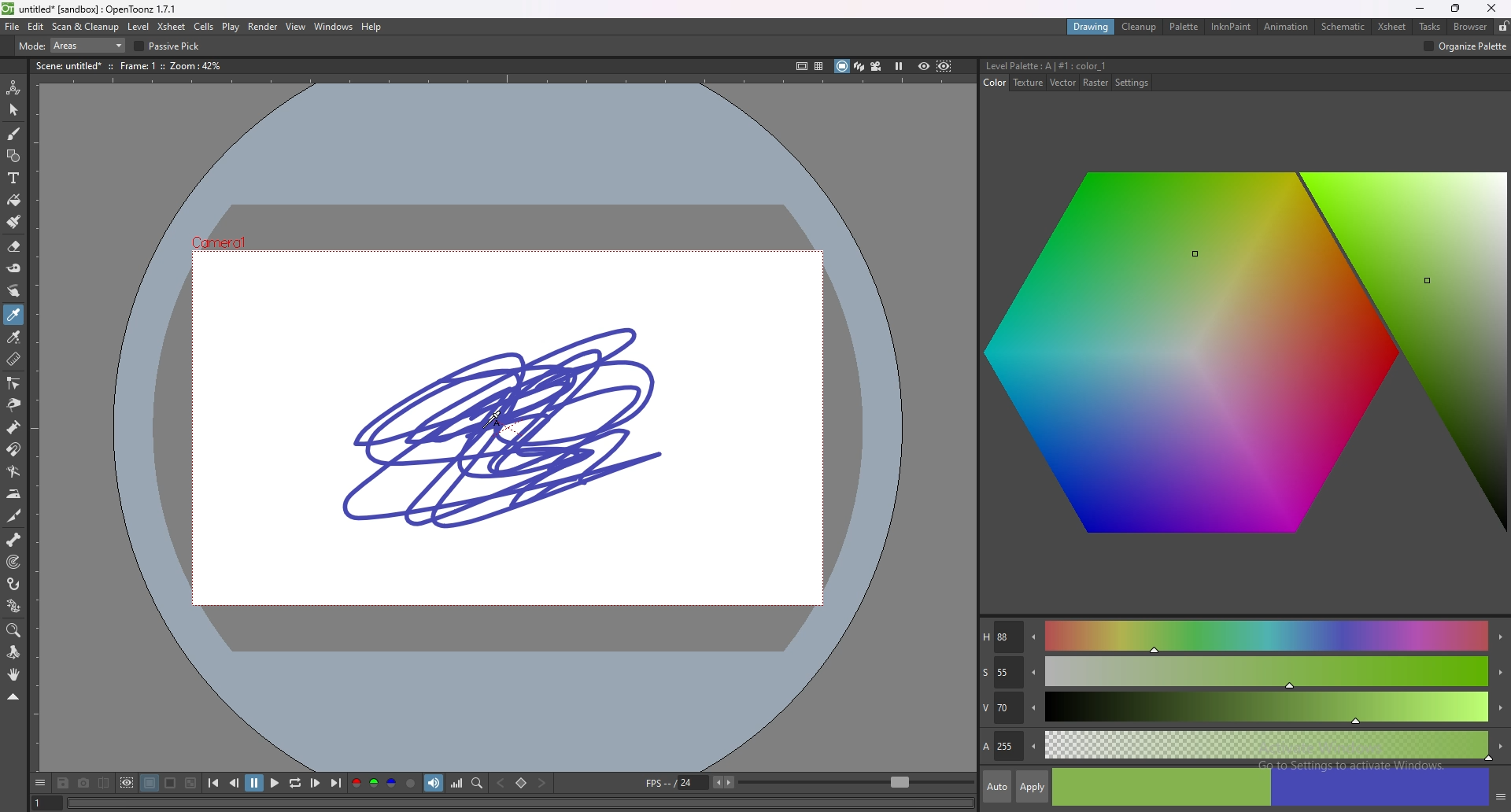 The width and height of the screenshot is (1511, 812). Describe the element at coordinates (83, 784) in the screenshot. I see `snapshot` at that location.